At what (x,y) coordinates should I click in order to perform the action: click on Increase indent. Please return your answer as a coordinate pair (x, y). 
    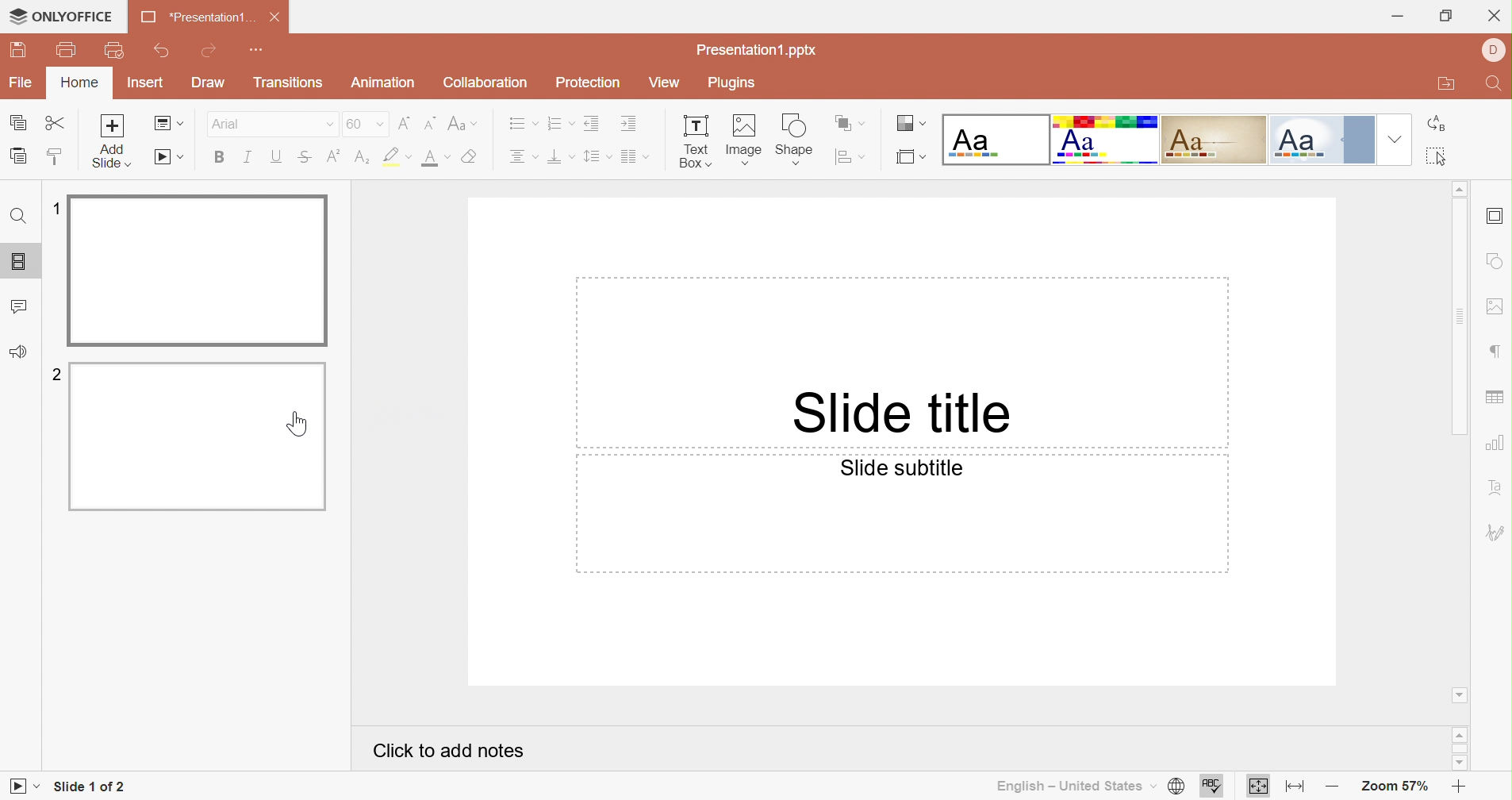
    Looking at the image, I should click on (627, 124).